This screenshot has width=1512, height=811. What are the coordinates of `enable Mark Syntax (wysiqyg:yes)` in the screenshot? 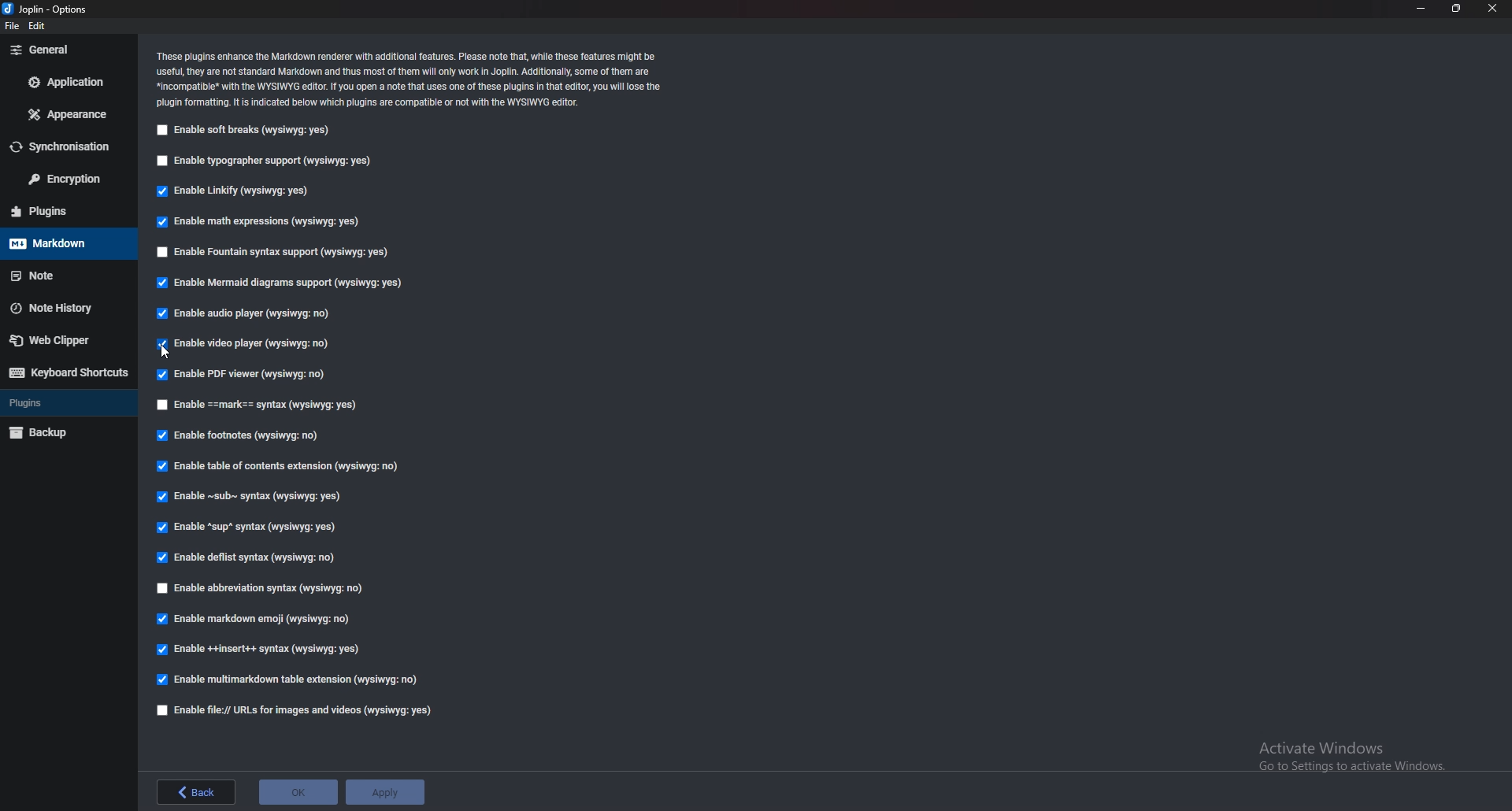 It's located at (273, 406).